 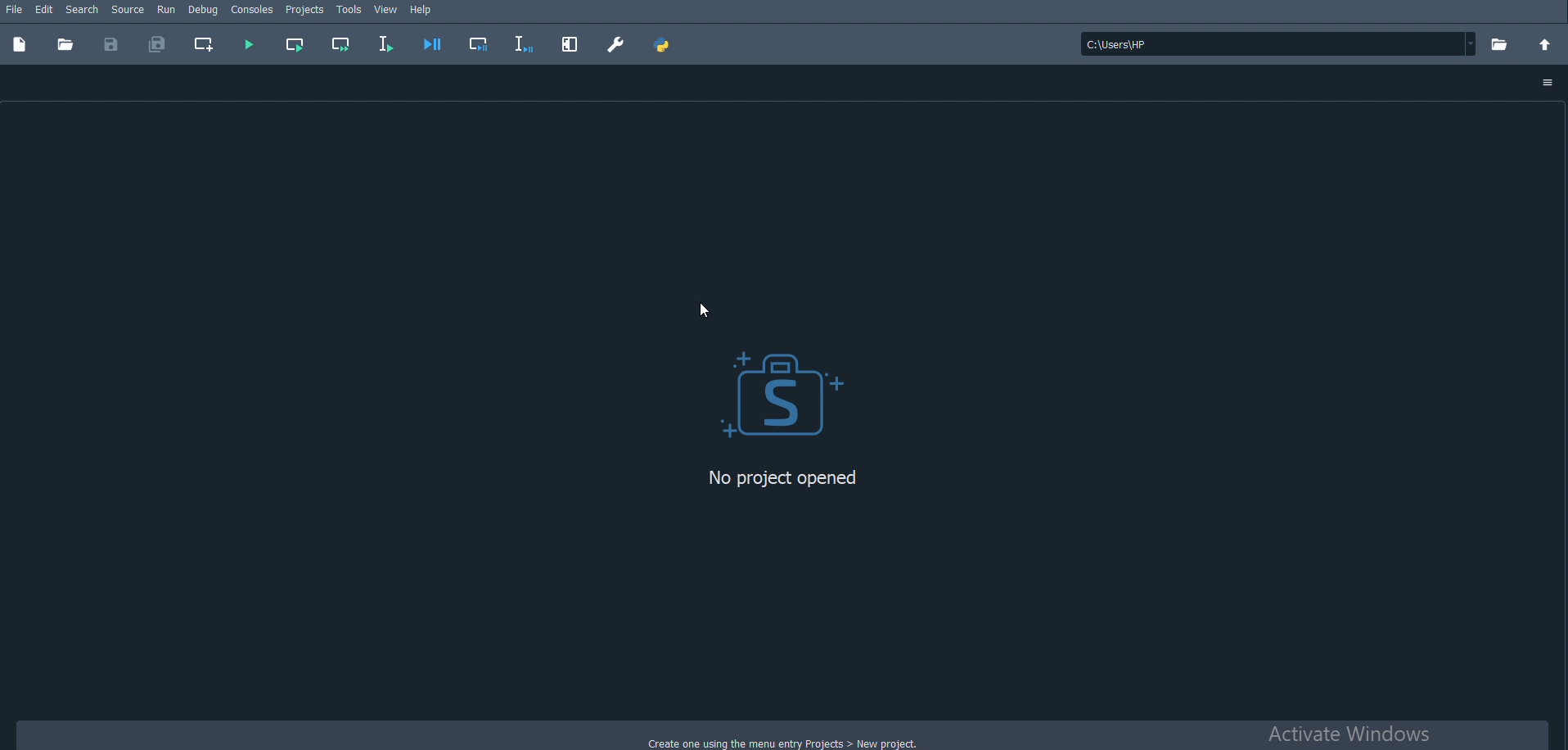 What do you see at coordinates (64, 46) in the screenshot?
I see `Open file` at bounding box center [64, 46].